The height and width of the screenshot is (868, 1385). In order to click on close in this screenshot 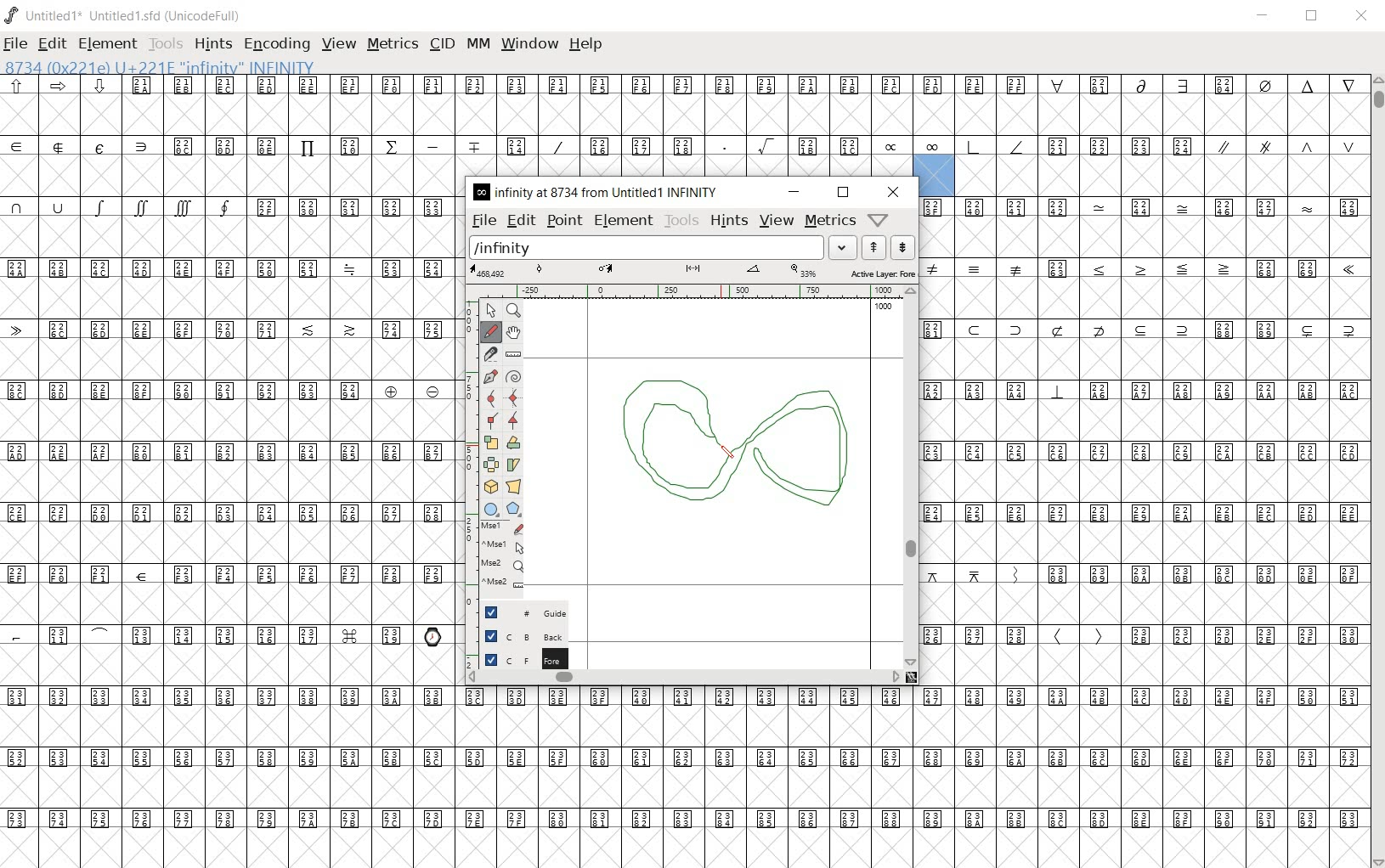, I will do `click(895, 192)`.